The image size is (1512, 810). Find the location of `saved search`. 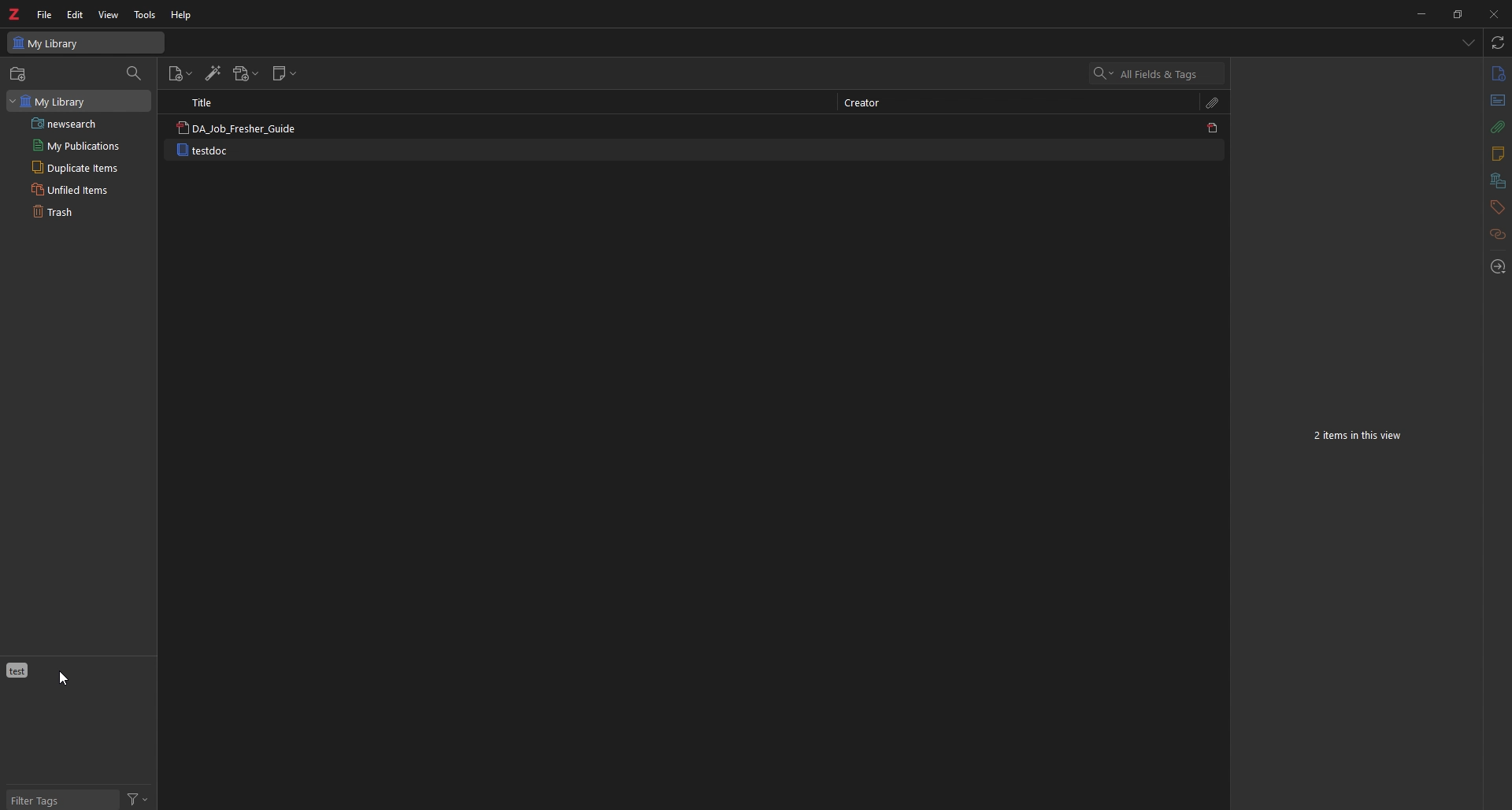

saved search is located at coordinates (83, 124).